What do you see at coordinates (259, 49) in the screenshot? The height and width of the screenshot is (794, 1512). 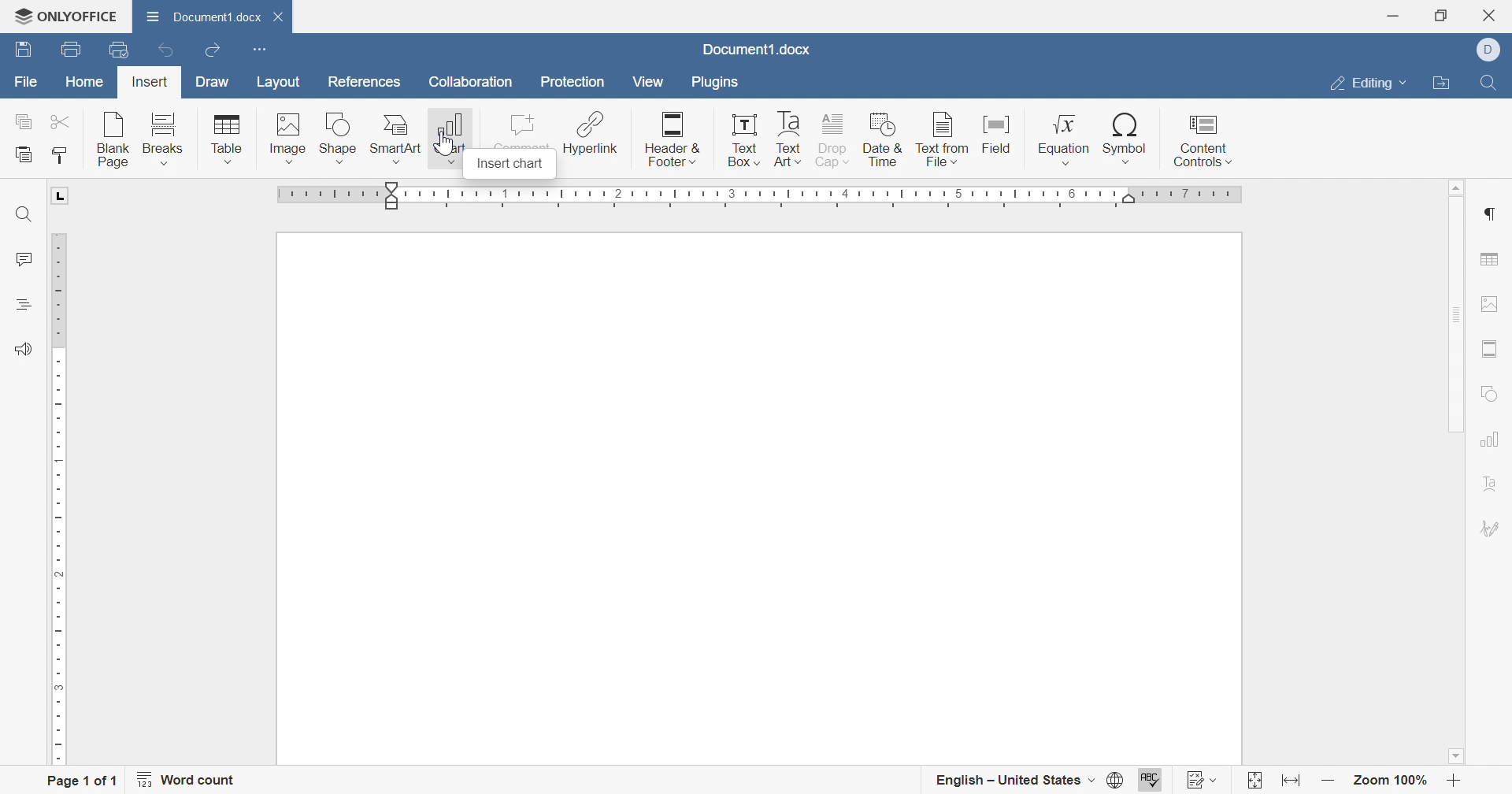 I see `Customize quick access toolbar` at bounding box center [259, 49].